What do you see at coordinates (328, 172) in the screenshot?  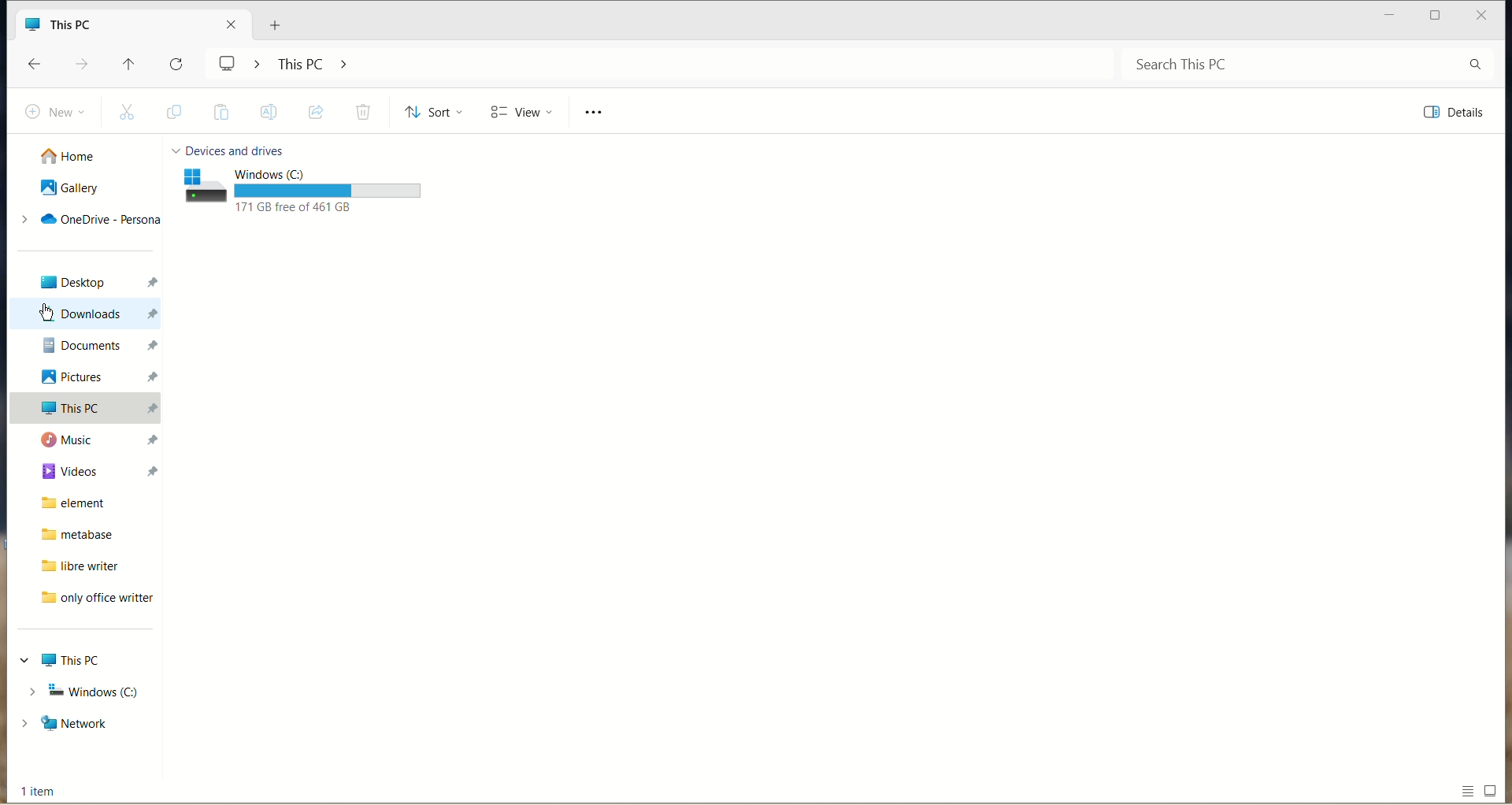 I see `windows c` at bounding box center [328, 172].